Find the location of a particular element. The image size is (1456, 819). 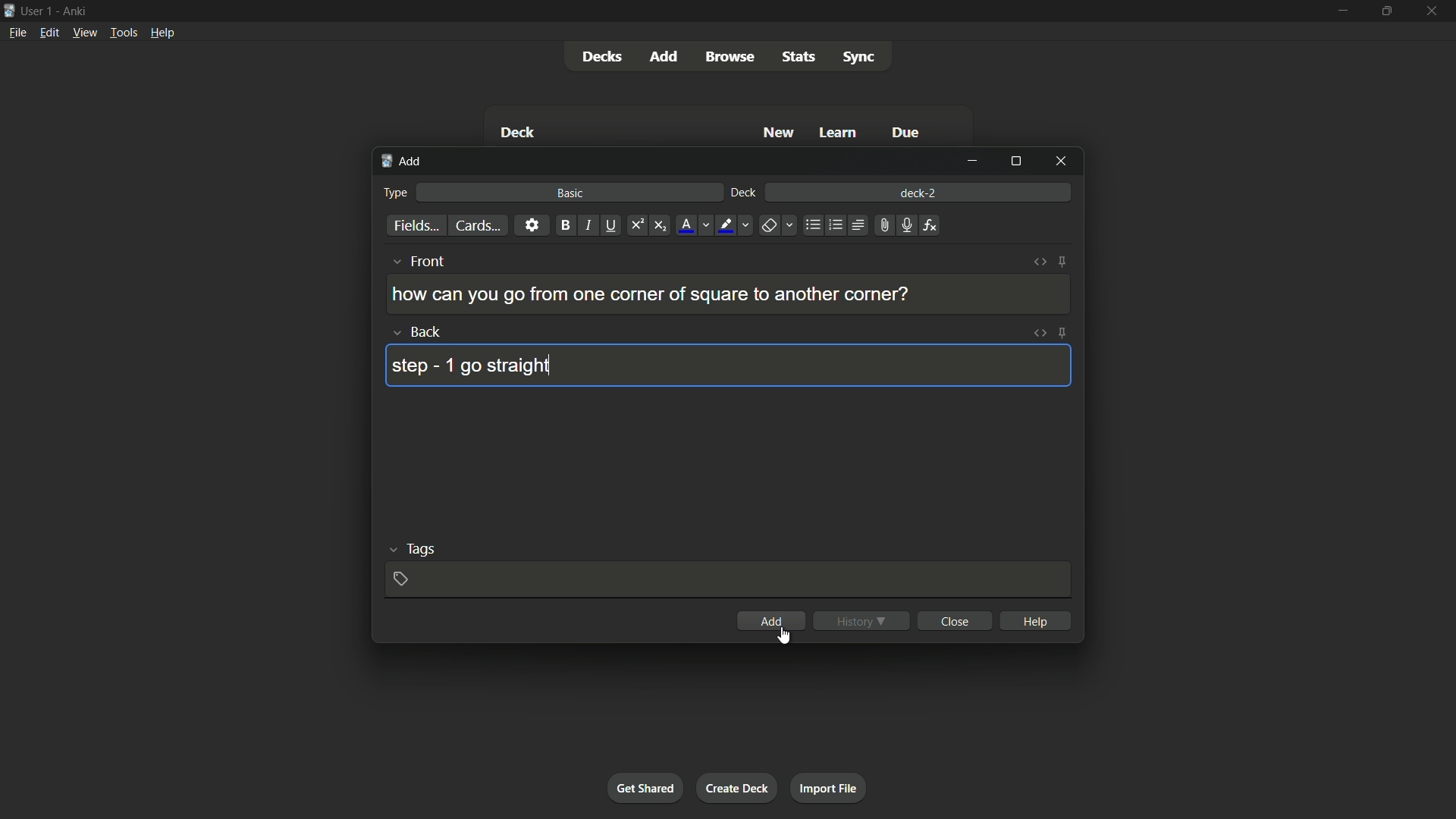

attach is located at coordinates (885, 224).